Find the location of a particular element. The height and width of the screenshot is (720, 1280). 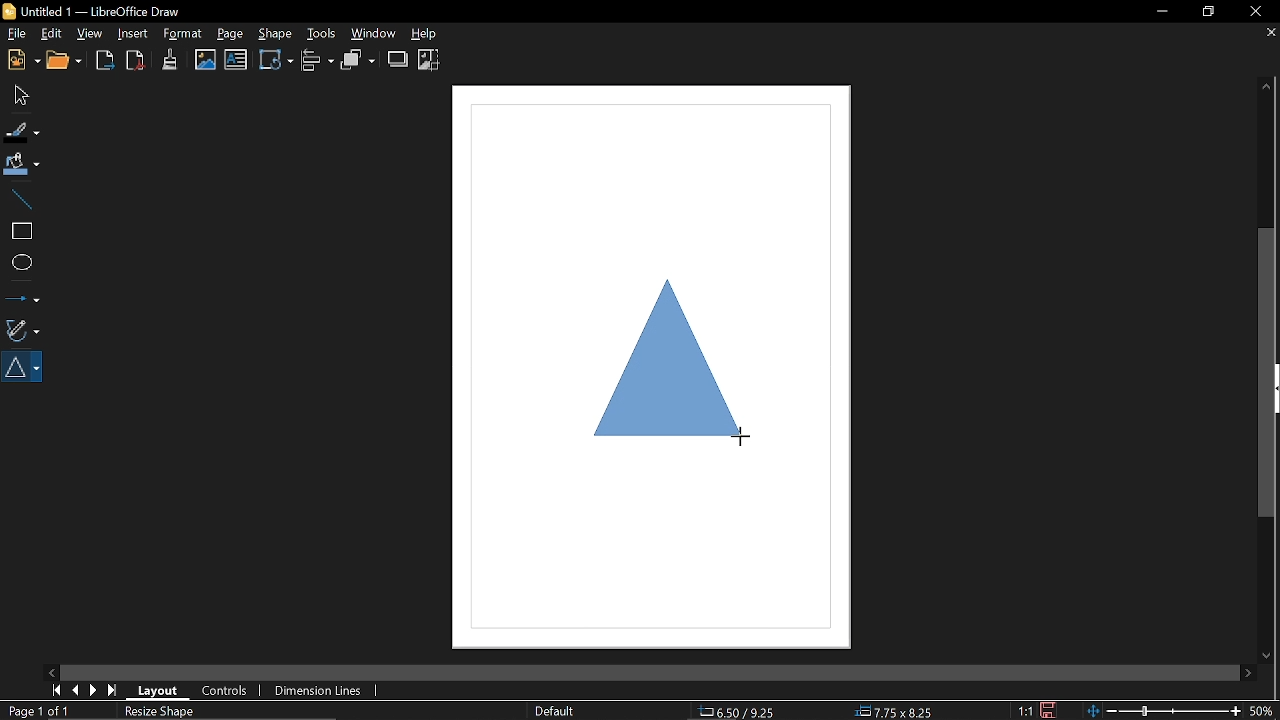

Next page is located at coordinates (94, 690).